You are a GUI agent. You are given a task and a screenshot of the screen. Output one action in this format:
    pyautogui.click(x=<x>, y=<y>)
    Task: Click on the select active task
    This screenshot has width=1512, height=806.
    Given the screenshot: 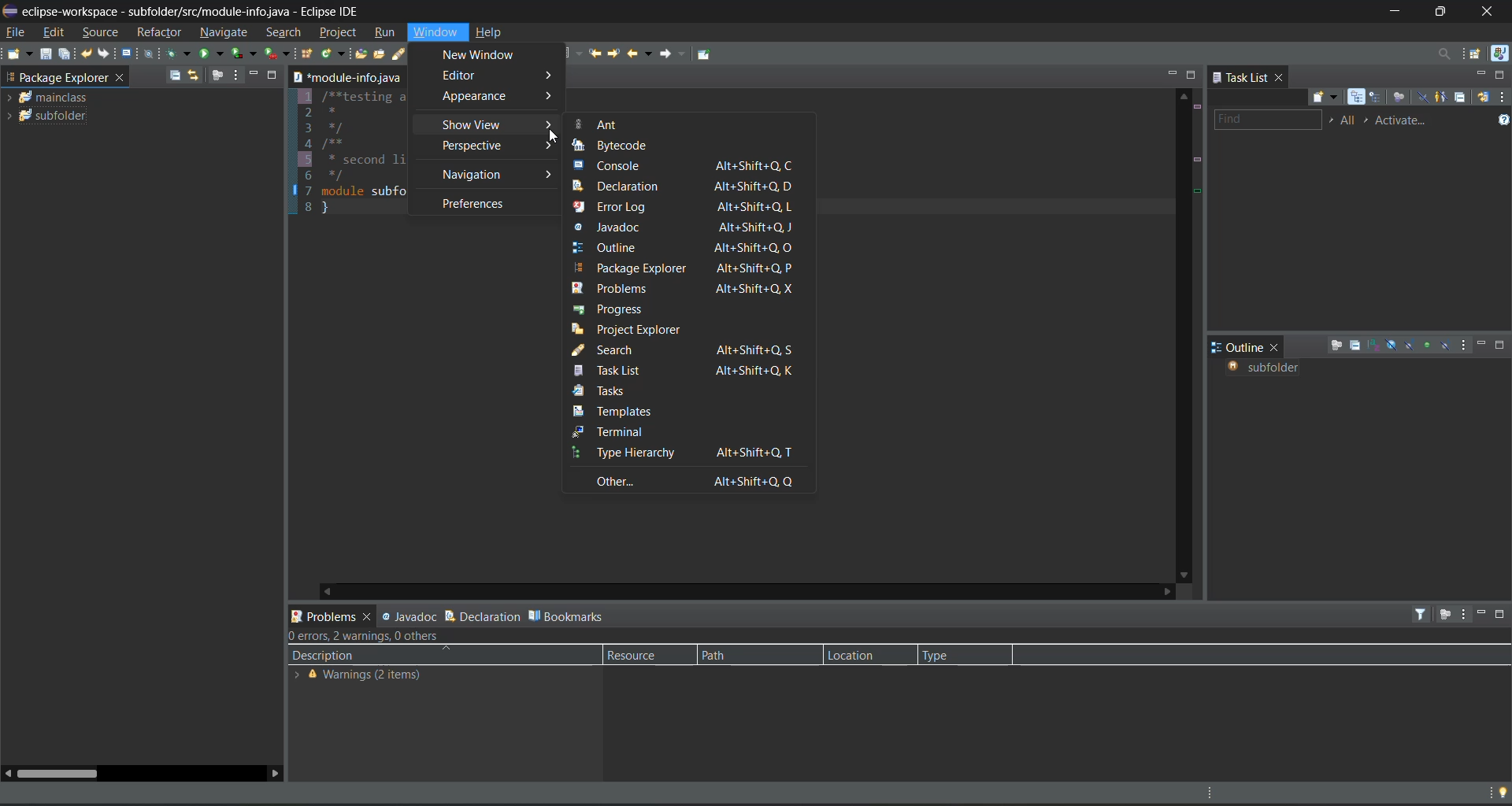 What is the action you would take?
    pyautogui.click(x=1369, y=121)
    